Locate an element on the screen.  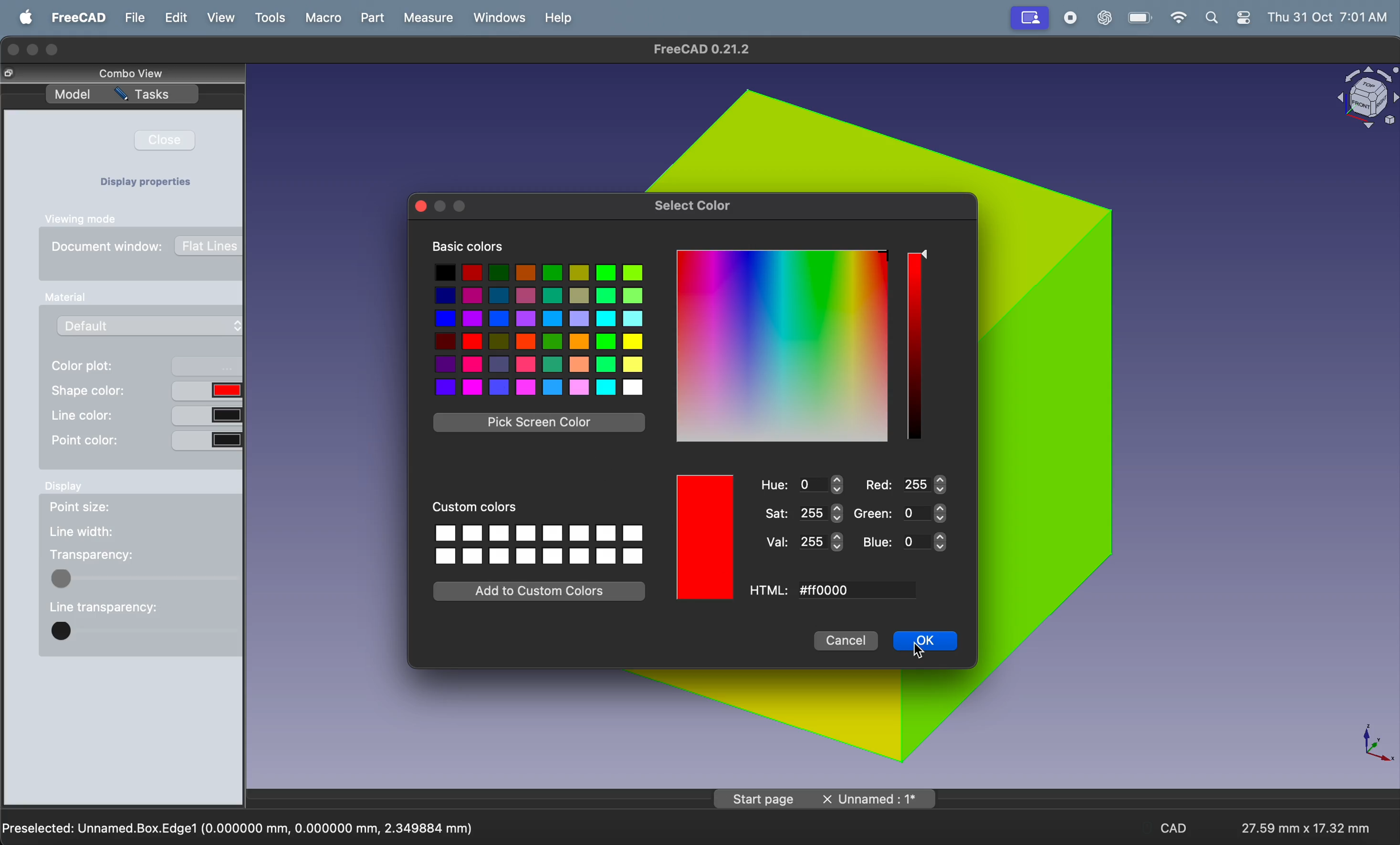
Html is located at coordinates (772, 589).